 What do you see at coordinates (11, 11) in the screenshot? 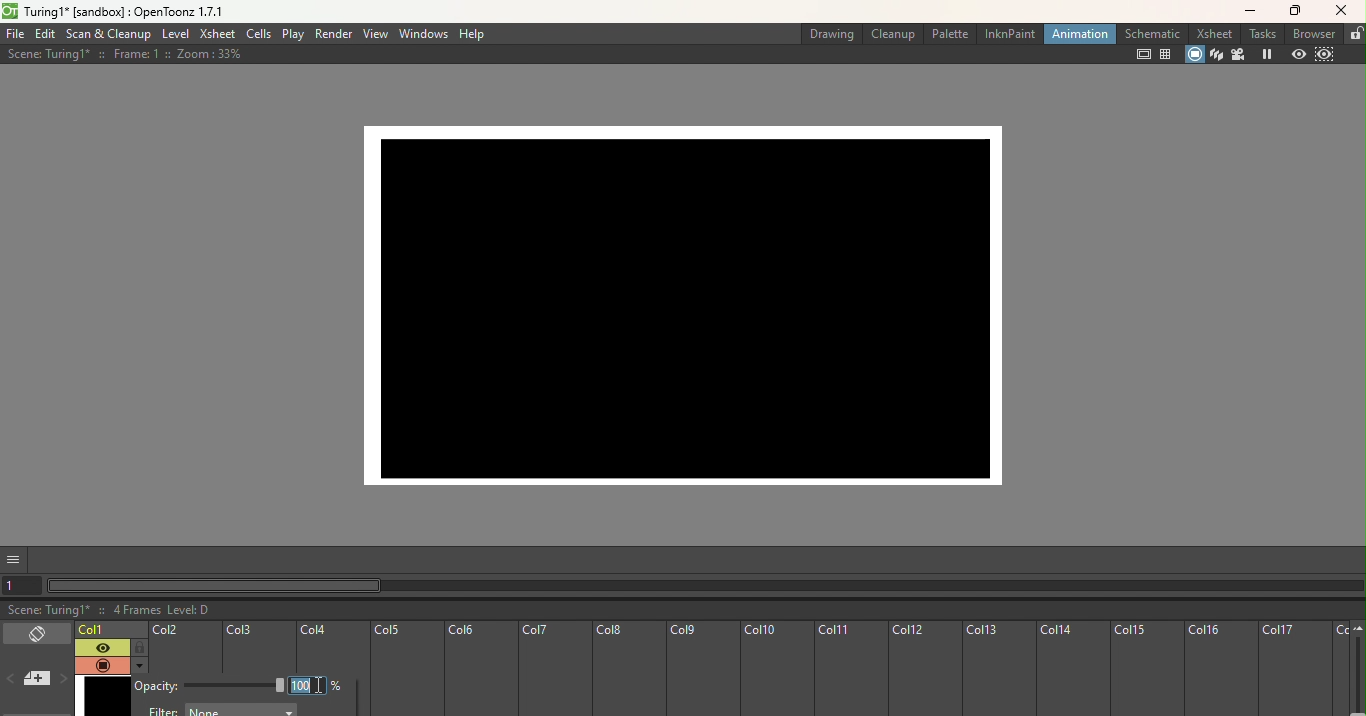
I see `opentoonz logo` at bounding box center [11, 11].